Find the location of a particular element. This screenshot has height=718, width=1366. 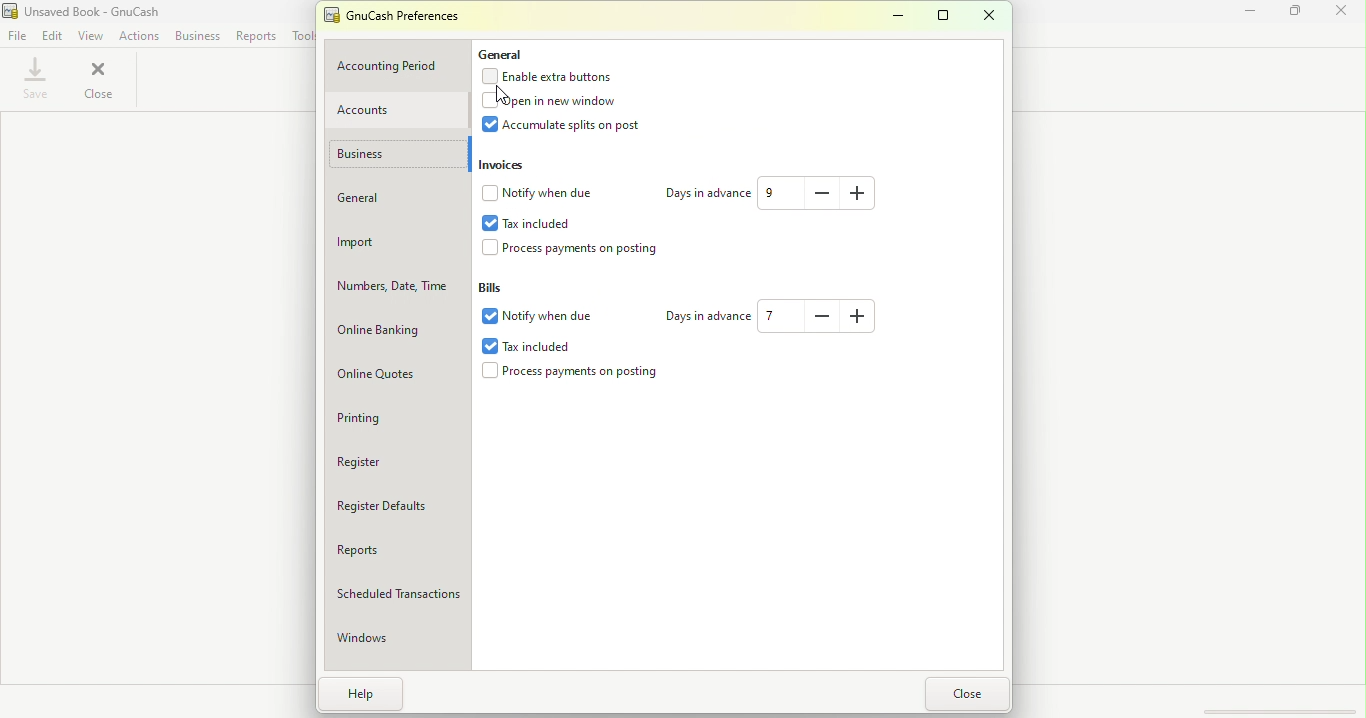

Notify when due is located at coordinates (538, 194).